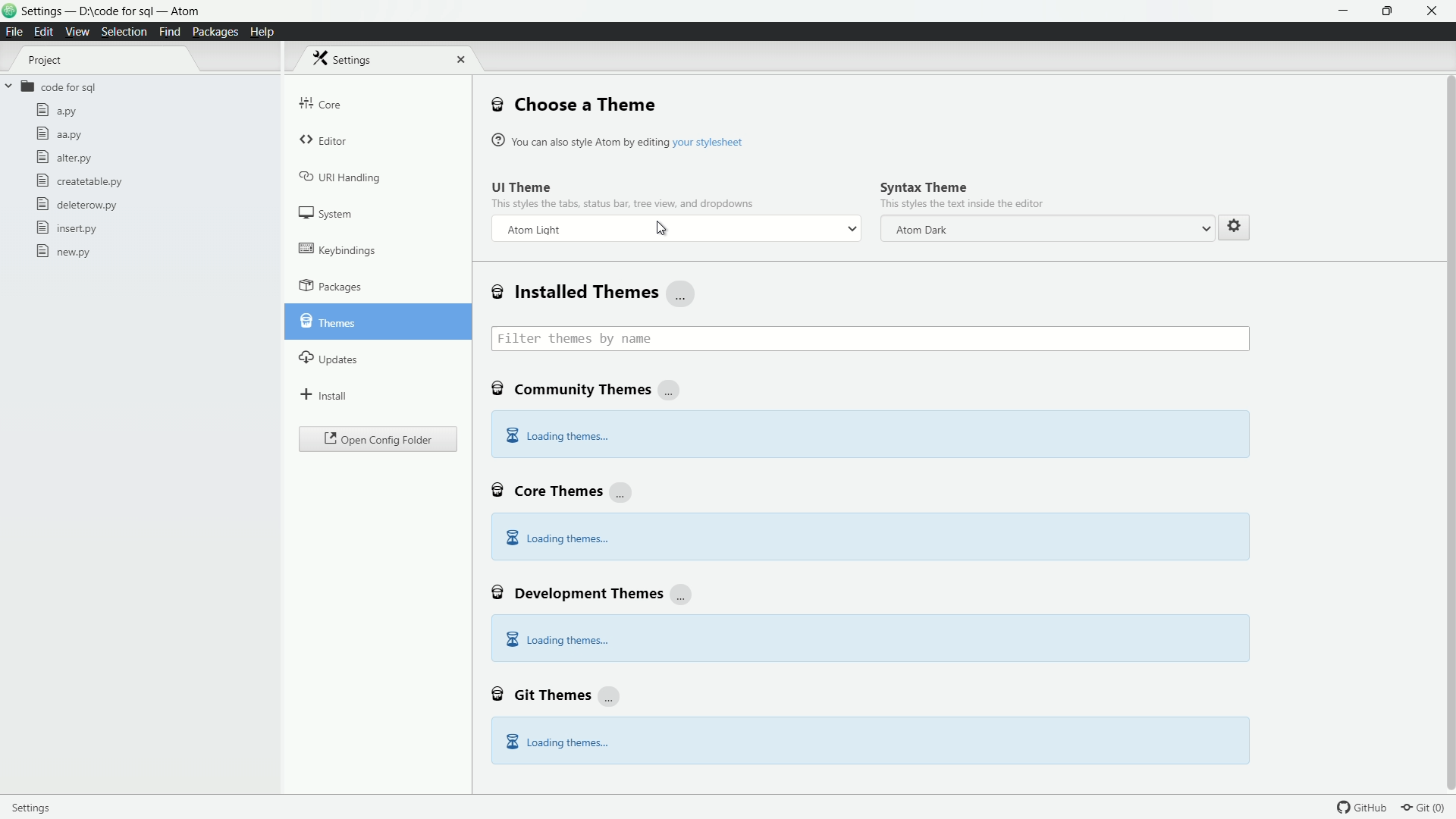 The image size is (1456, 819). What do you see at coordinates (557, 437) in the screenshot?
I see `loading themes` at bounding box center [557, 437].